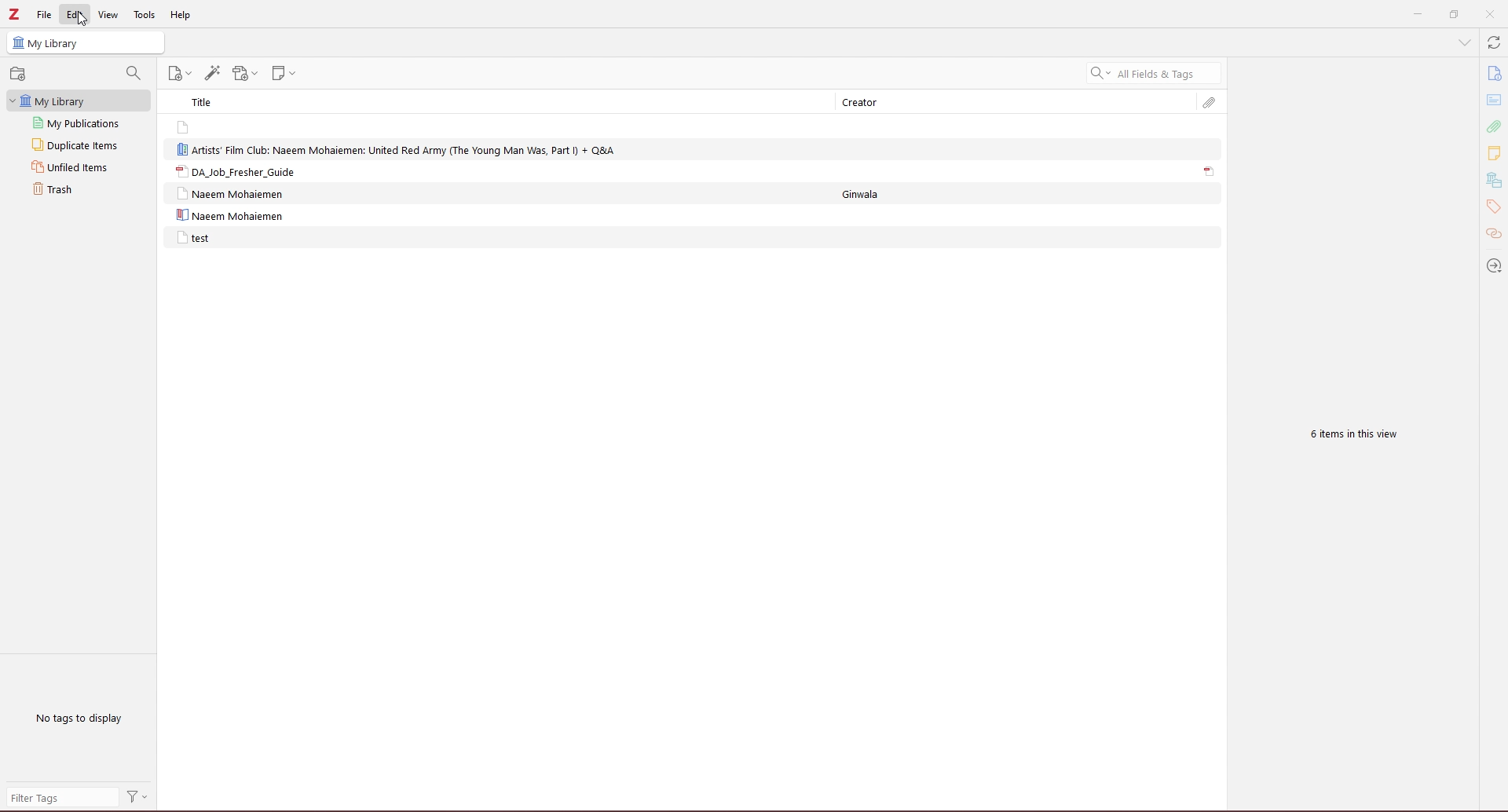 This screenshot has width=1508, height=812. Describe the element at coordinates (245, 74) in the screenshot. I see `add attachment` at that location.